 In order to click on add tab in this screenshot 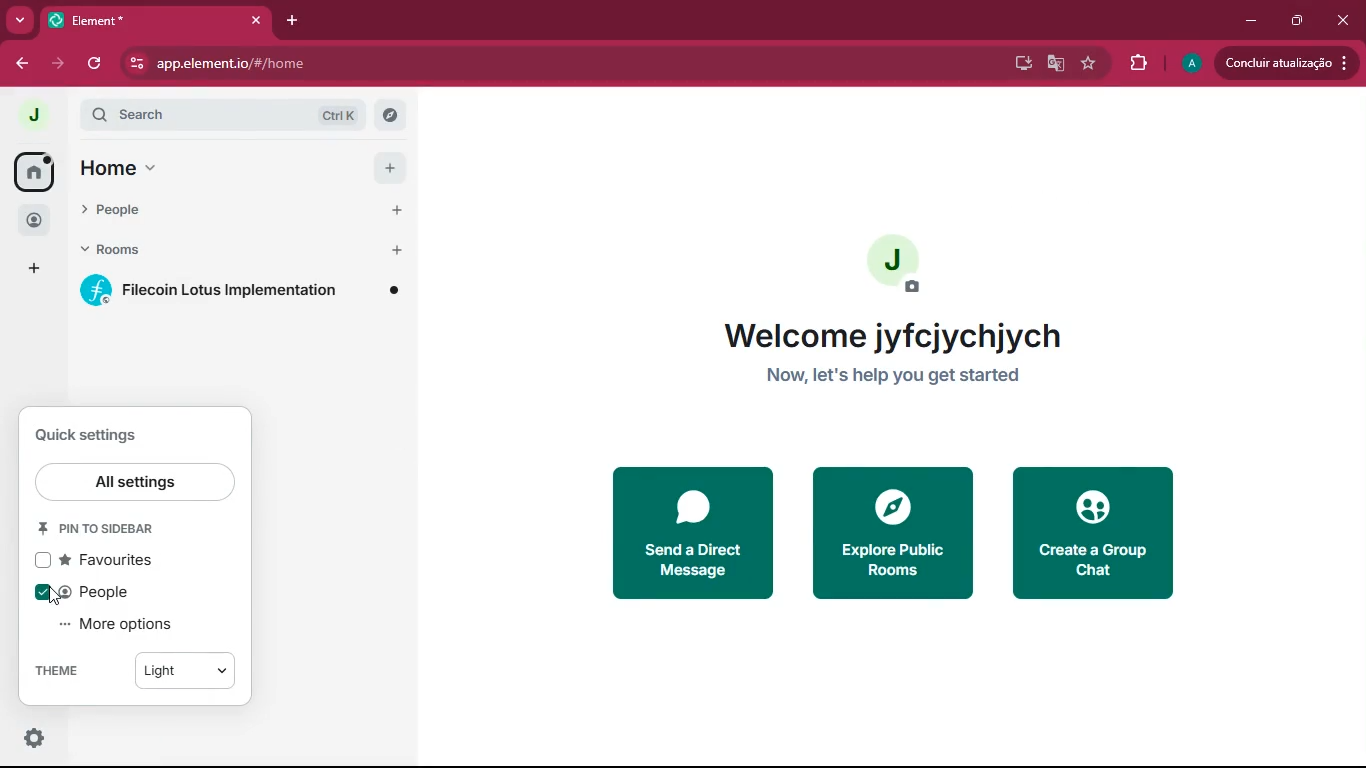, I will do `click(290, 21)`.